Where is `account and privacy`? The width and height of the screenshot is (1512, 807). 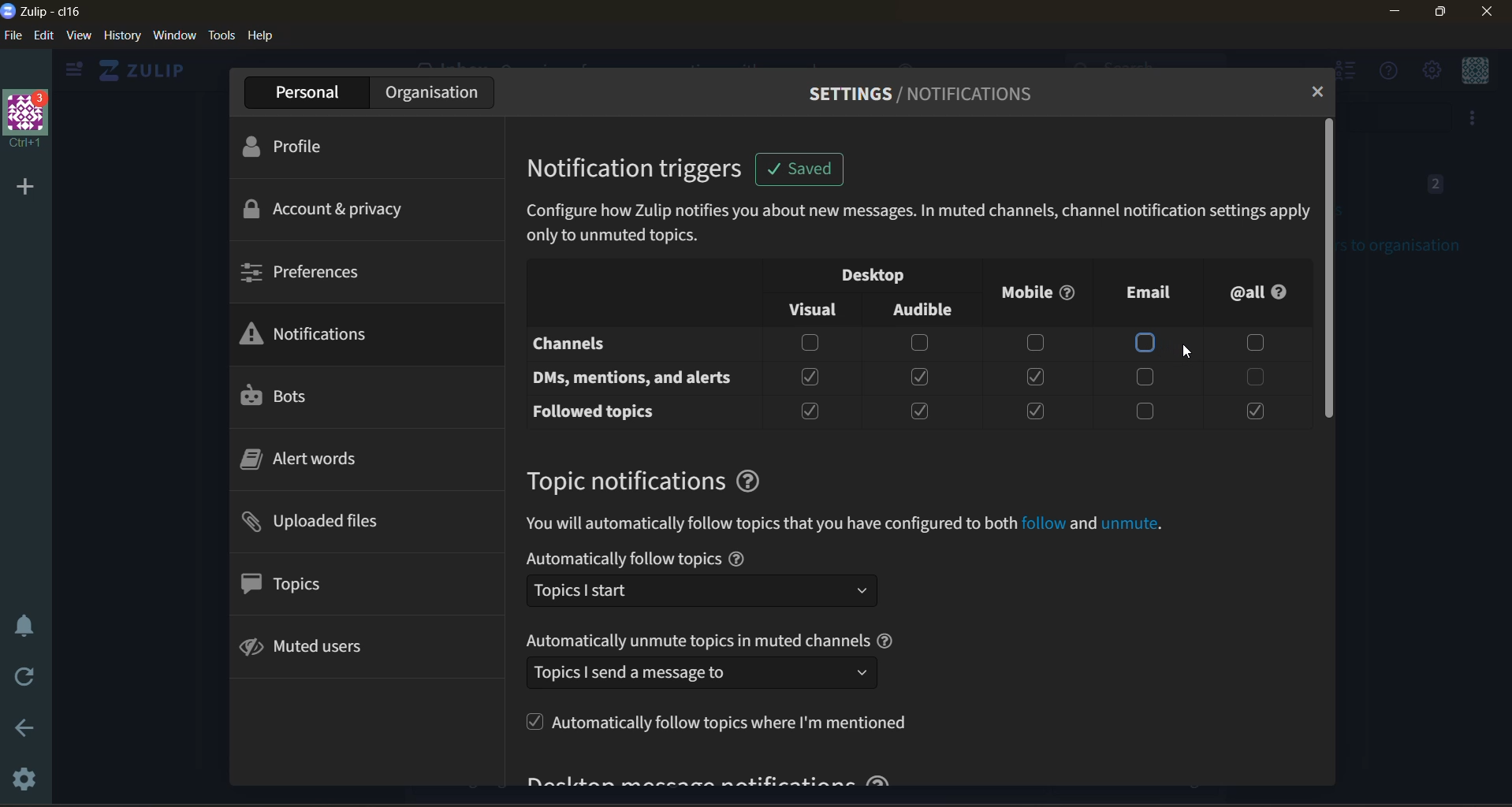 account and privacy is located at coordinates (330, 208).